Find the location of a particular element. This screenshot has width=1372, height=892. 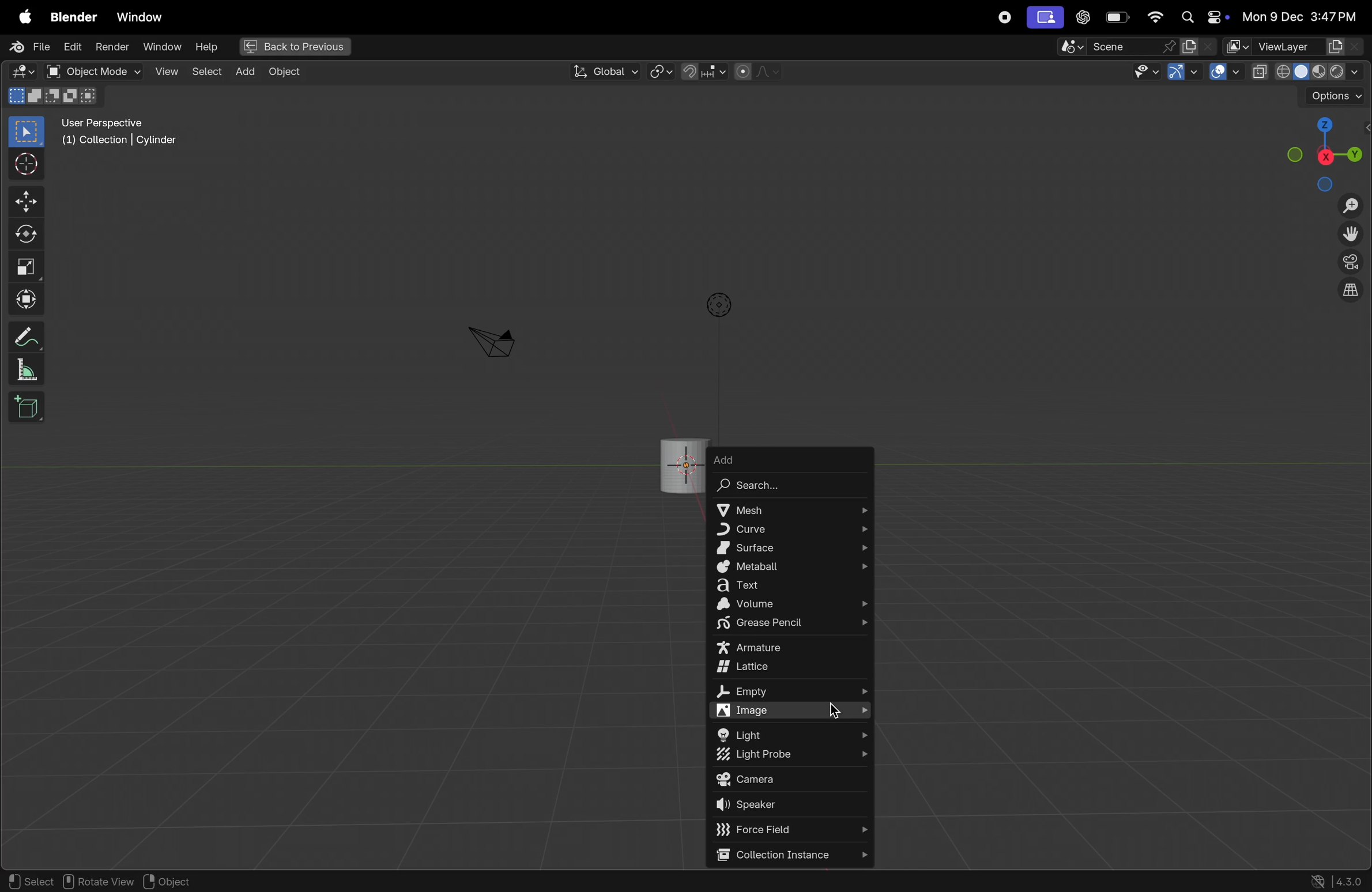

light is located at coordinates (794, 734).